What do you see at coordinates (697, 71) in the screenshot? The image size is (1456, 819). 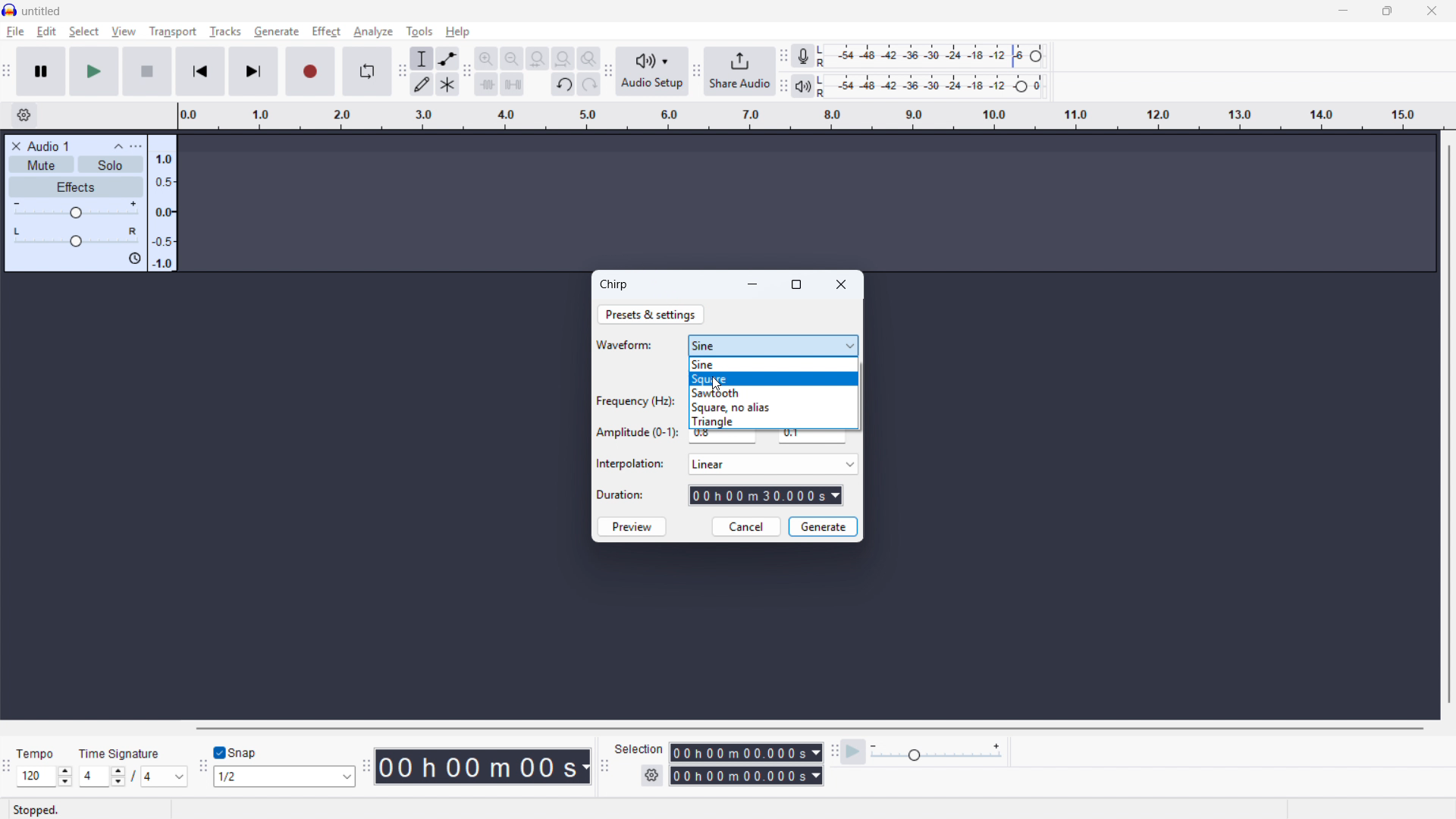 I see `Share audio toolbar ` at bounding box center [697, 71].